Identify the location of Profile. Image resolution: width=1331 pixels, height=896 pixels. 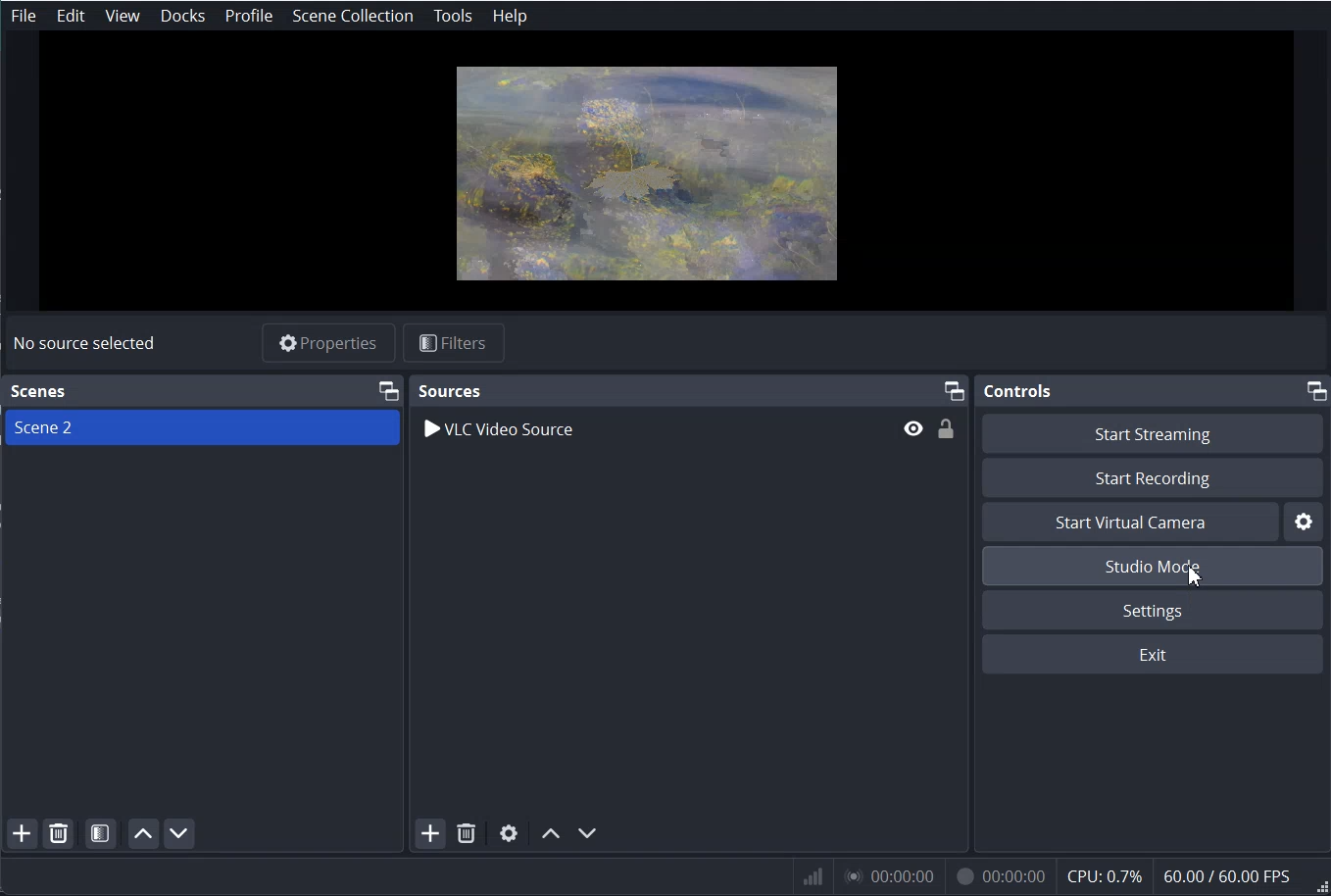
(249, 17).